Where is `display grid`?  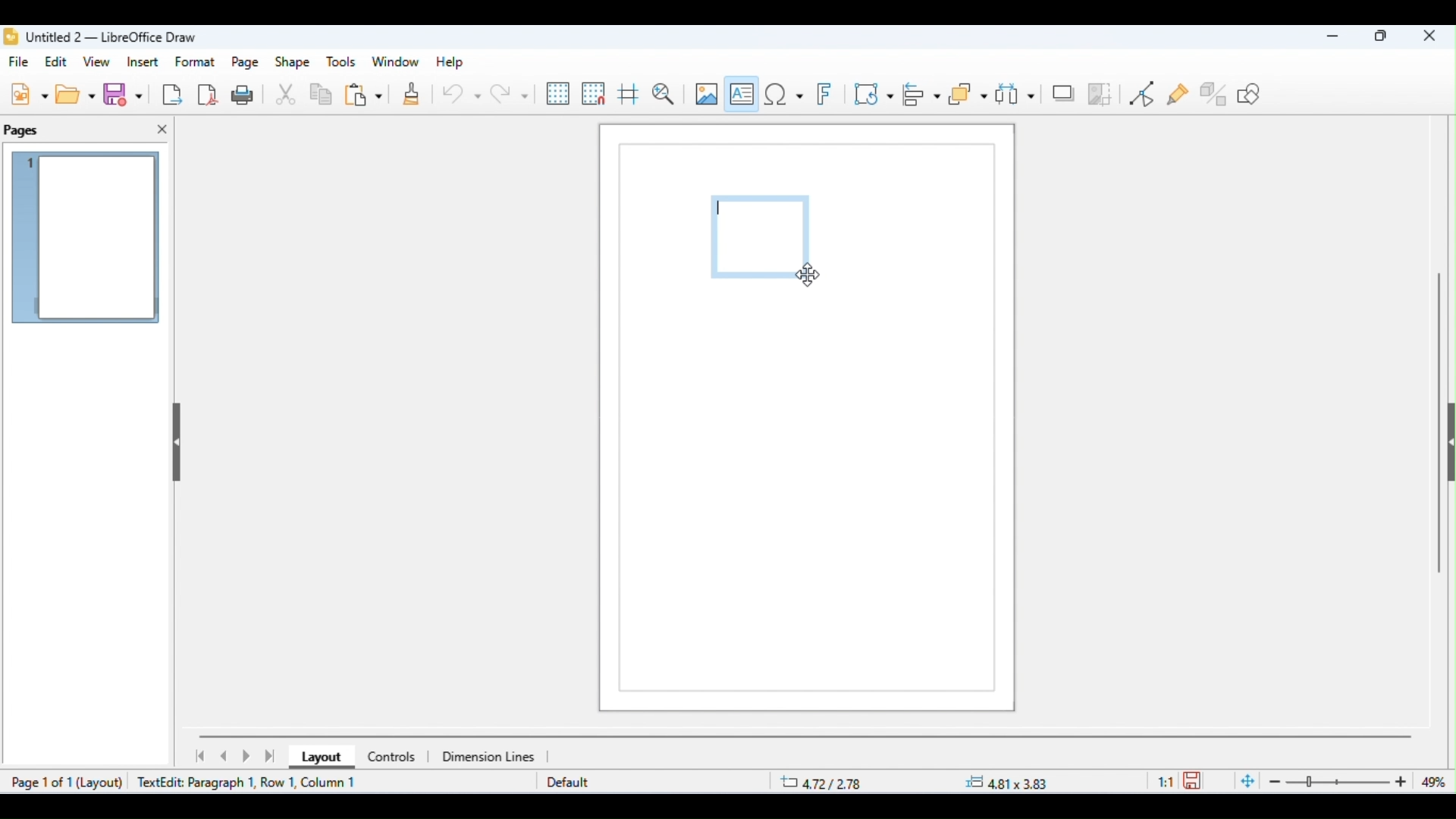 display grid is located at coordinates (559, 94).